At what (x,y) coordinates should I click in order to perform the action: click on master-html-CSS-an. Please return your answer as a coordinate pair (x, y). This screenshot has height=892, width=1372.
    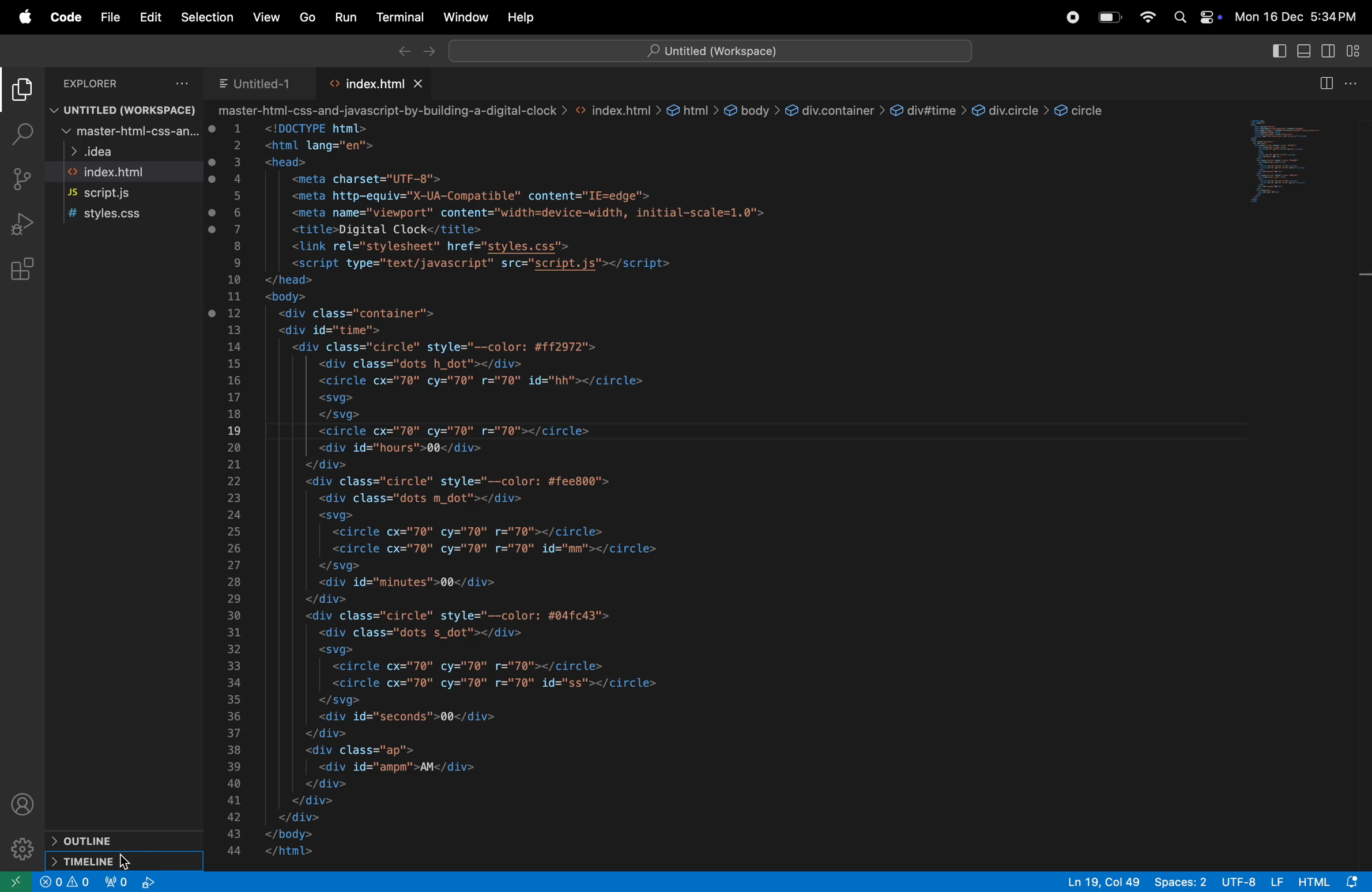
    Looking at the image, I should click on (126, 133).